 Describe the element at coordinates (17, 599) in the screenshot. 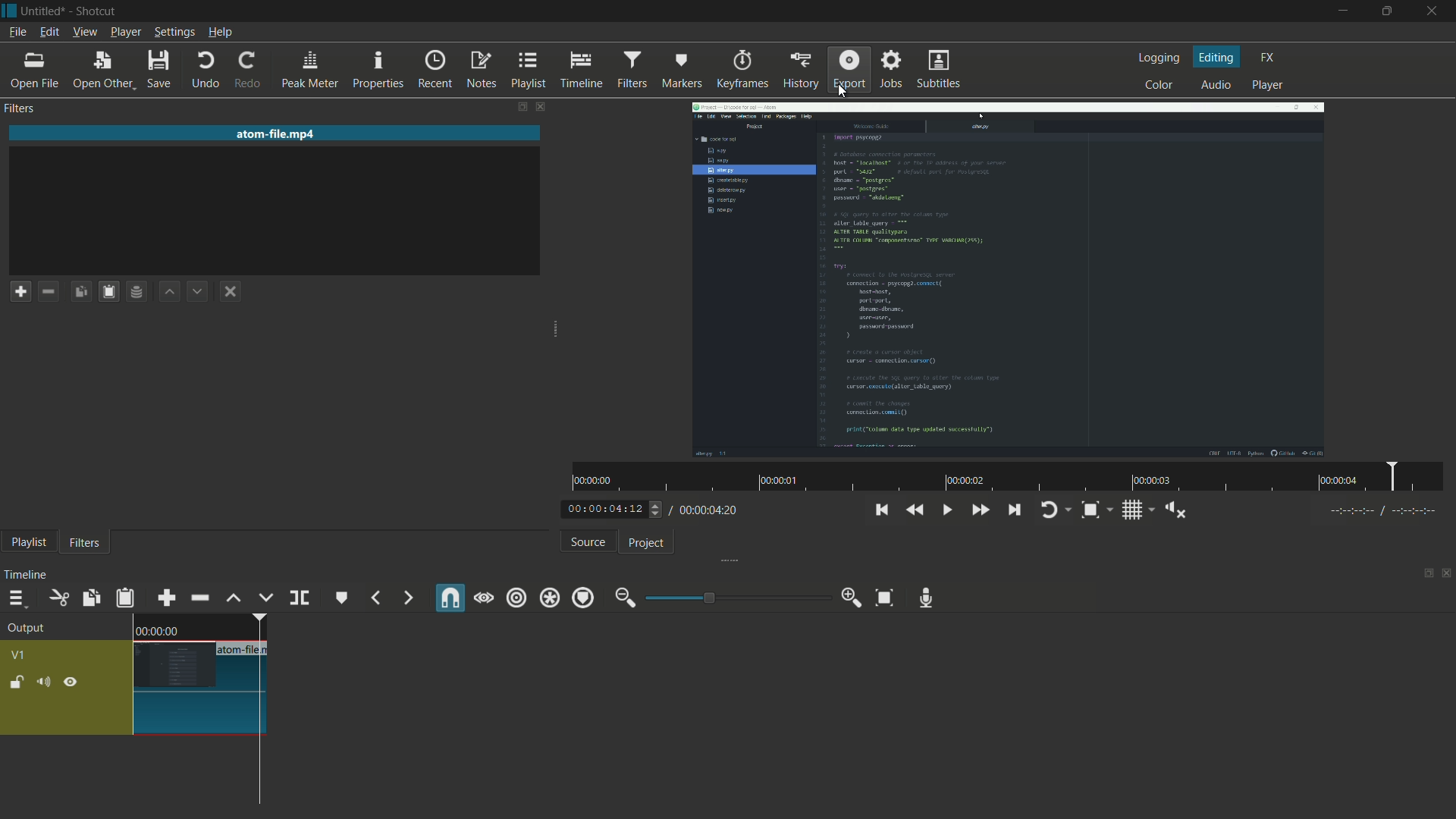

I see `timeline menu` at that location.